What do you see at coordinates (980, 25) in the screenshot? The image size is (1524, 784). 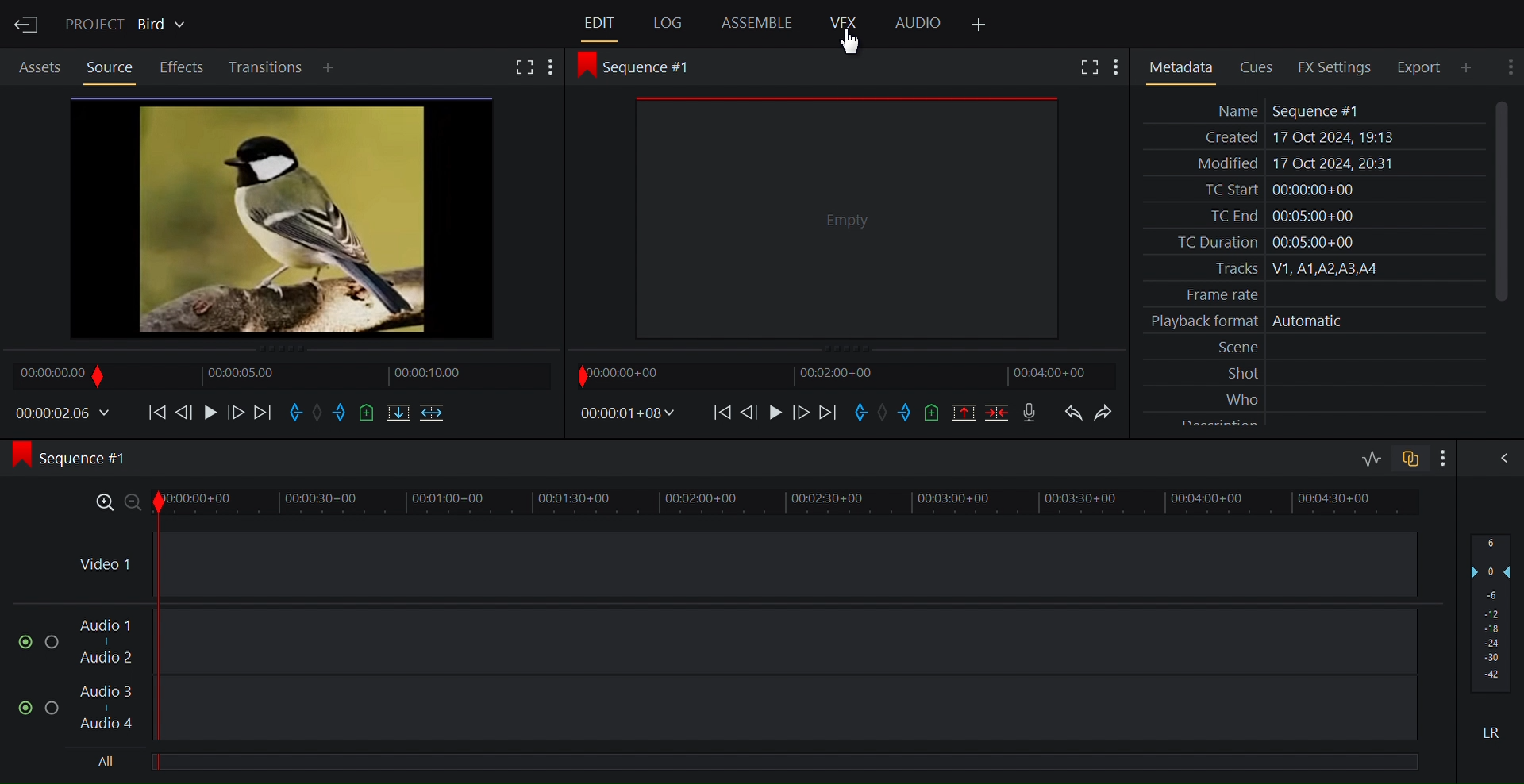 I see `Add Panel` at bounding box center [980, 25].